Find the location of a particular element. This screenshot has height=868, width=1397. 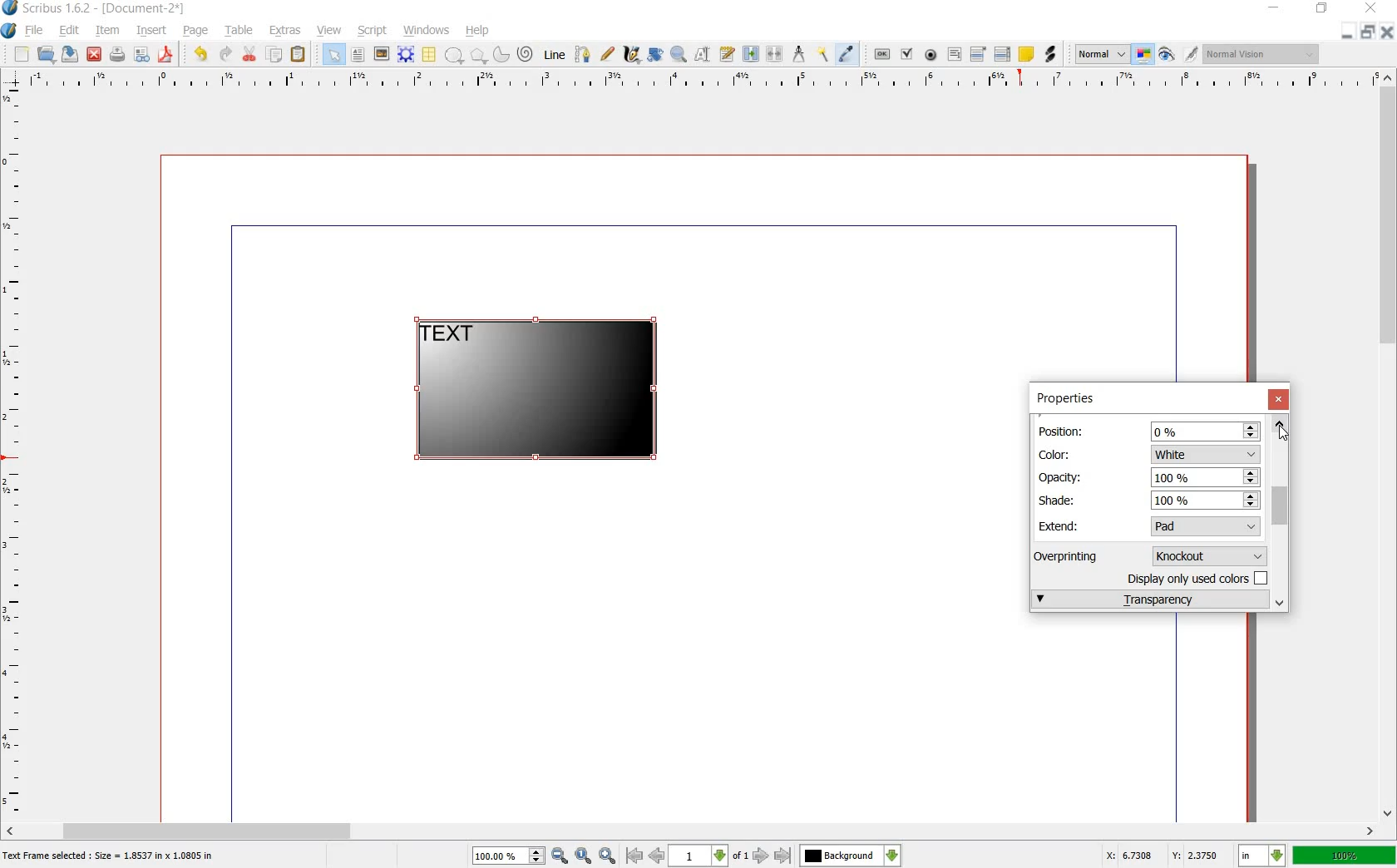

close is located at coordinates (1281, 400).